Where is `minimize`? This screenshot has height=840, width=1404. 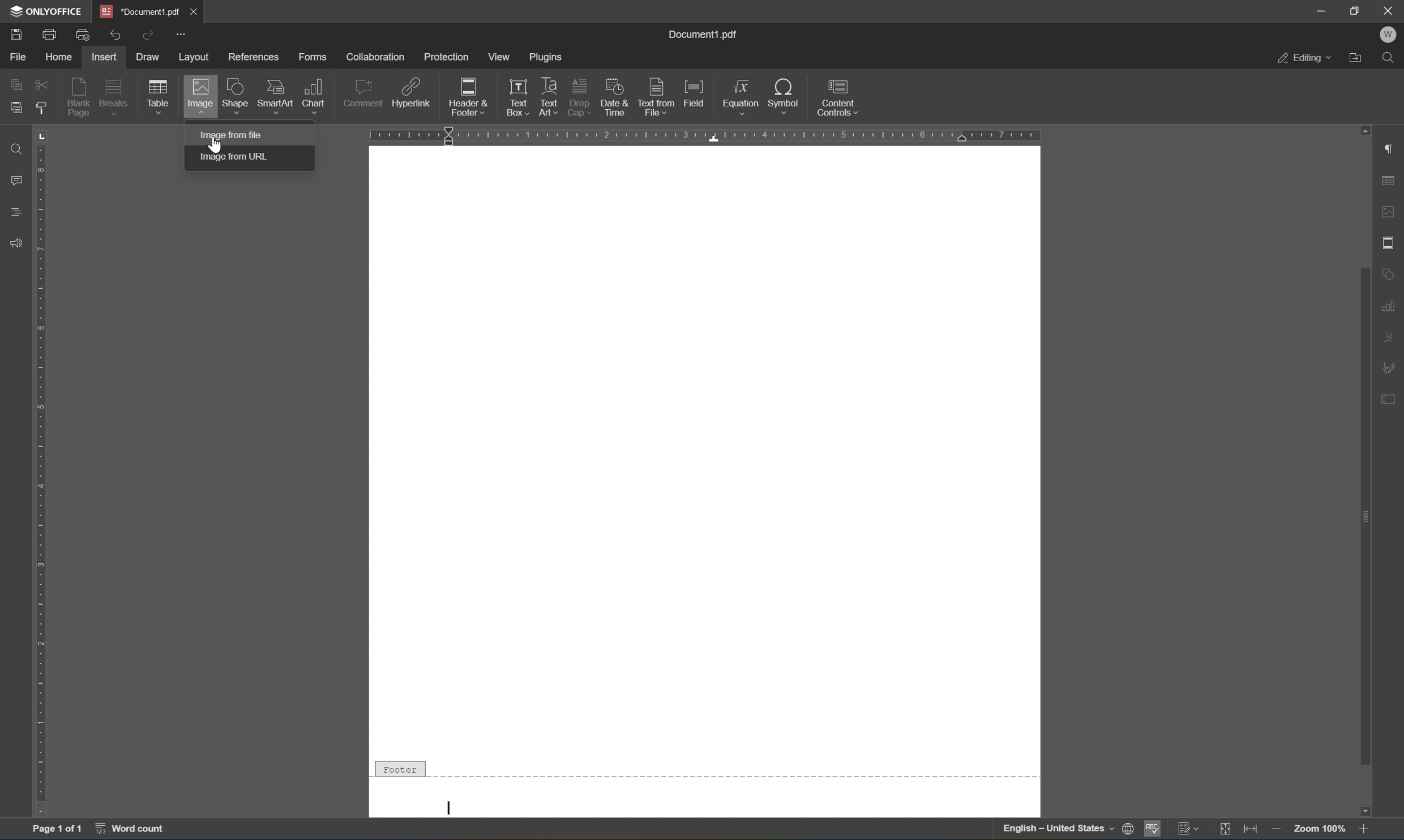
minimize is located at coordinates (1321, 10).